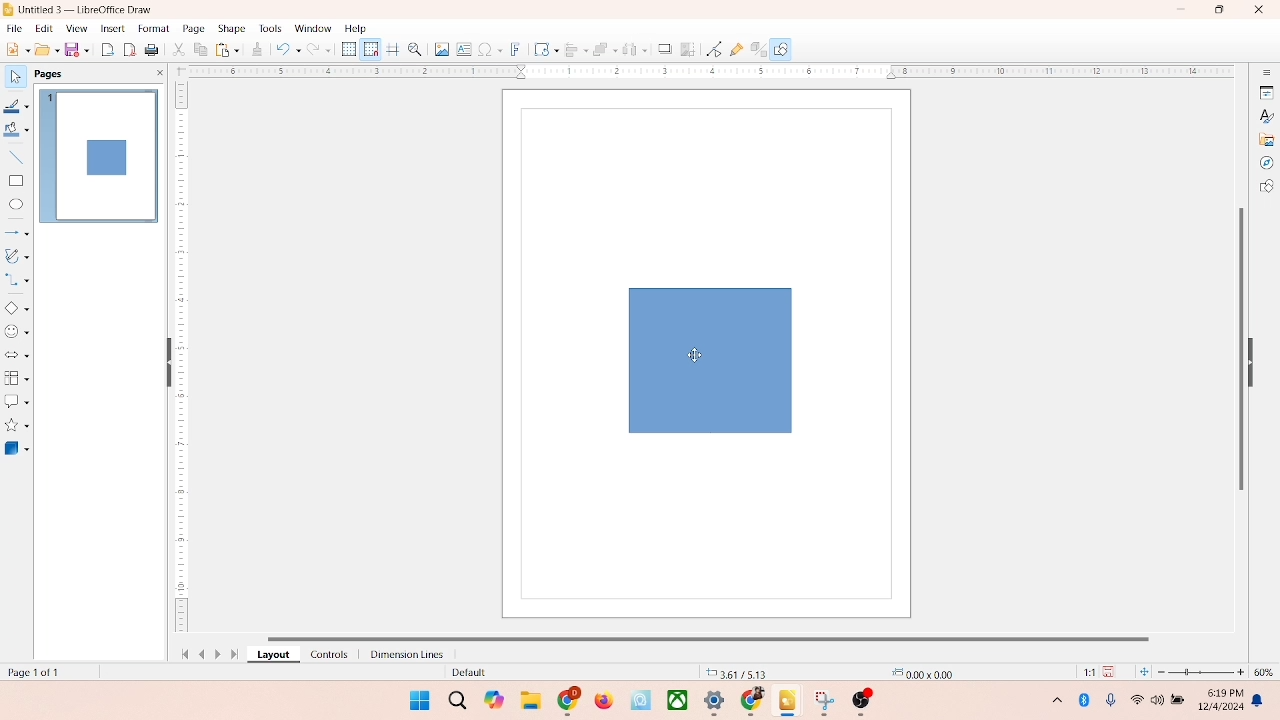 Image resolution: width=1280 pixels, height=720 pixels. I want to click on next page, so click(220, 654).